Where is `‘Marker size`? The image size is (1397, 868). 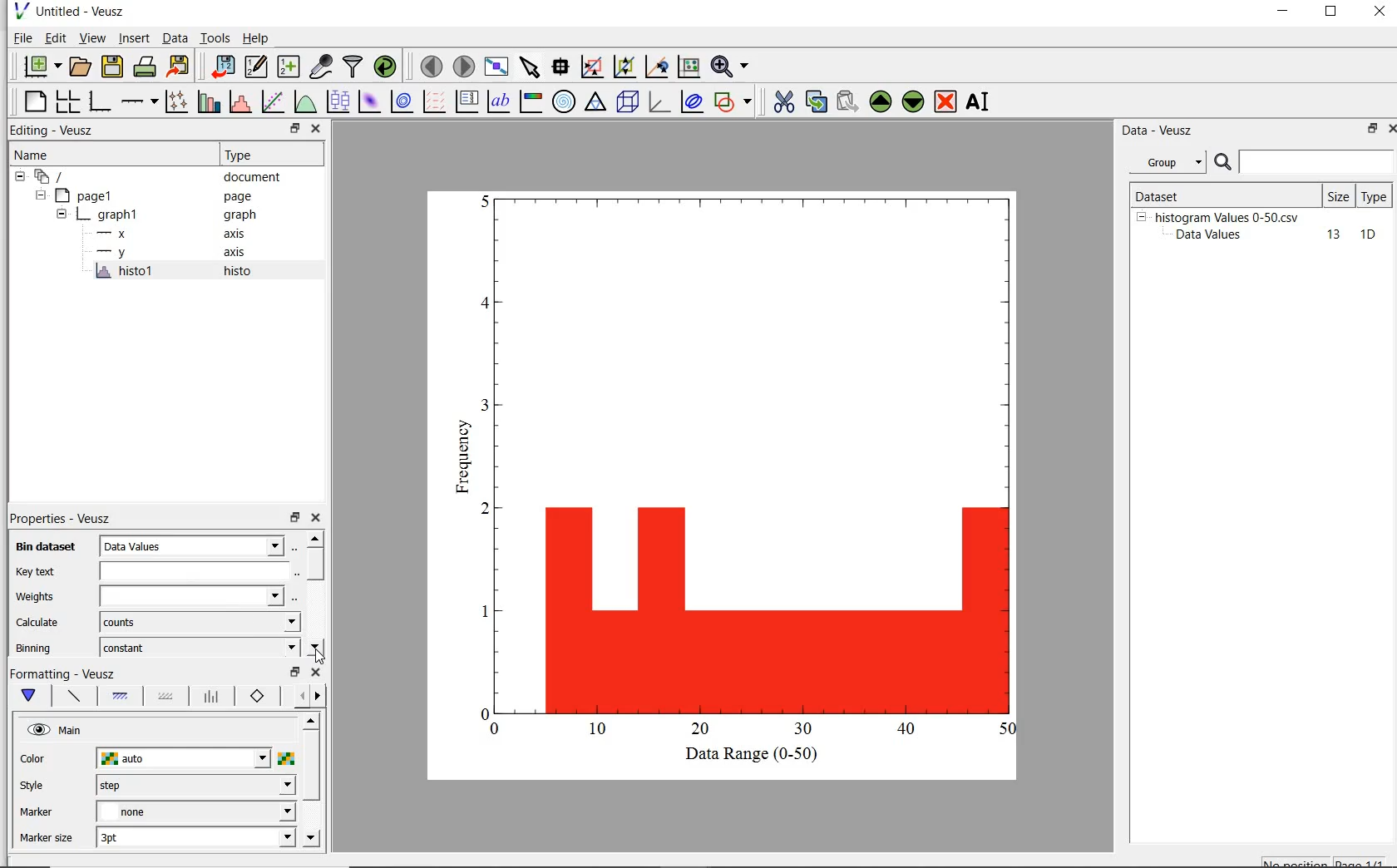 ‘Marker size is located at coordinates (47, 839).